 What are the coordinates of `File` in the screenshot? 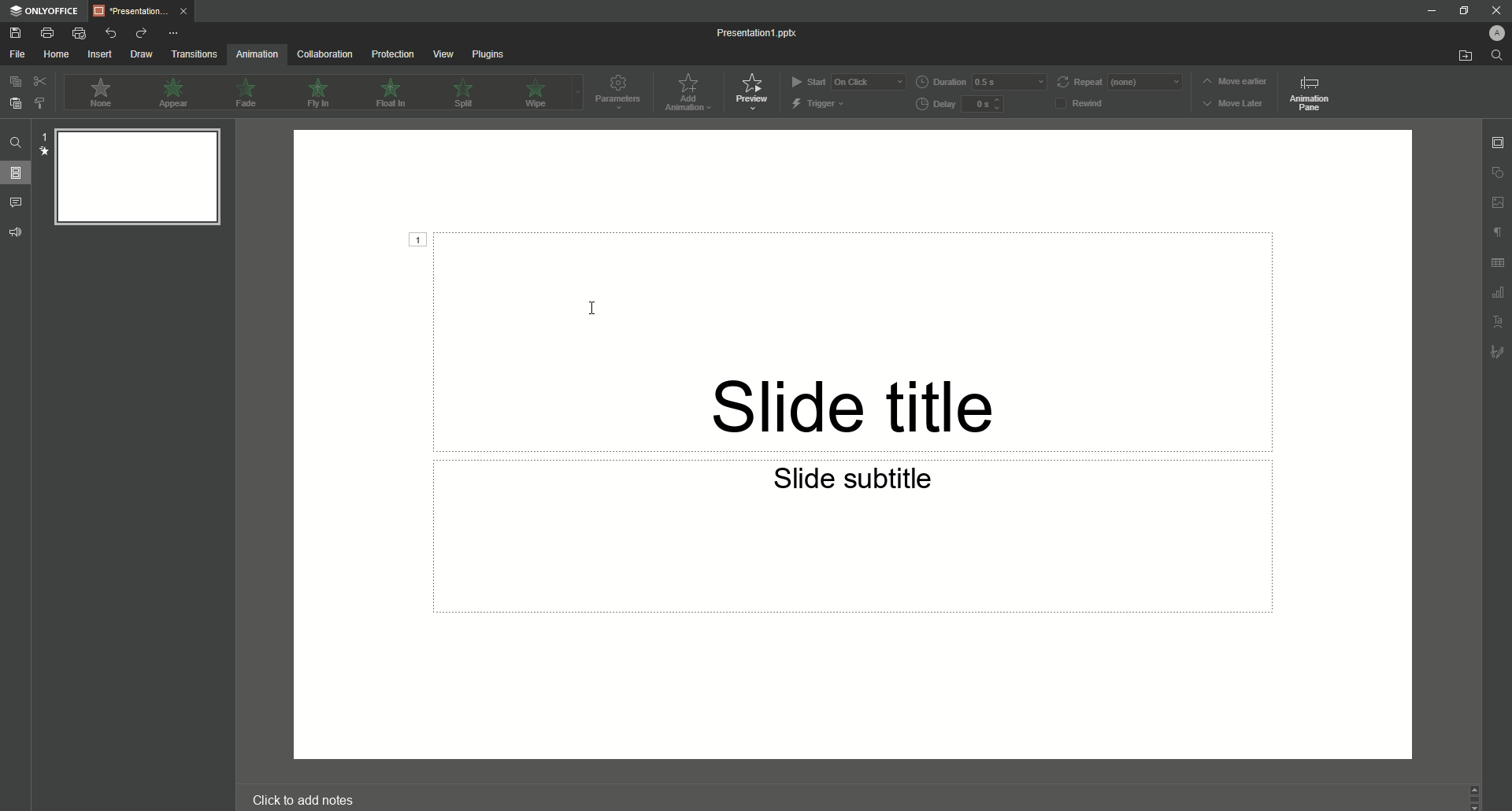 It's located at (19, 55).